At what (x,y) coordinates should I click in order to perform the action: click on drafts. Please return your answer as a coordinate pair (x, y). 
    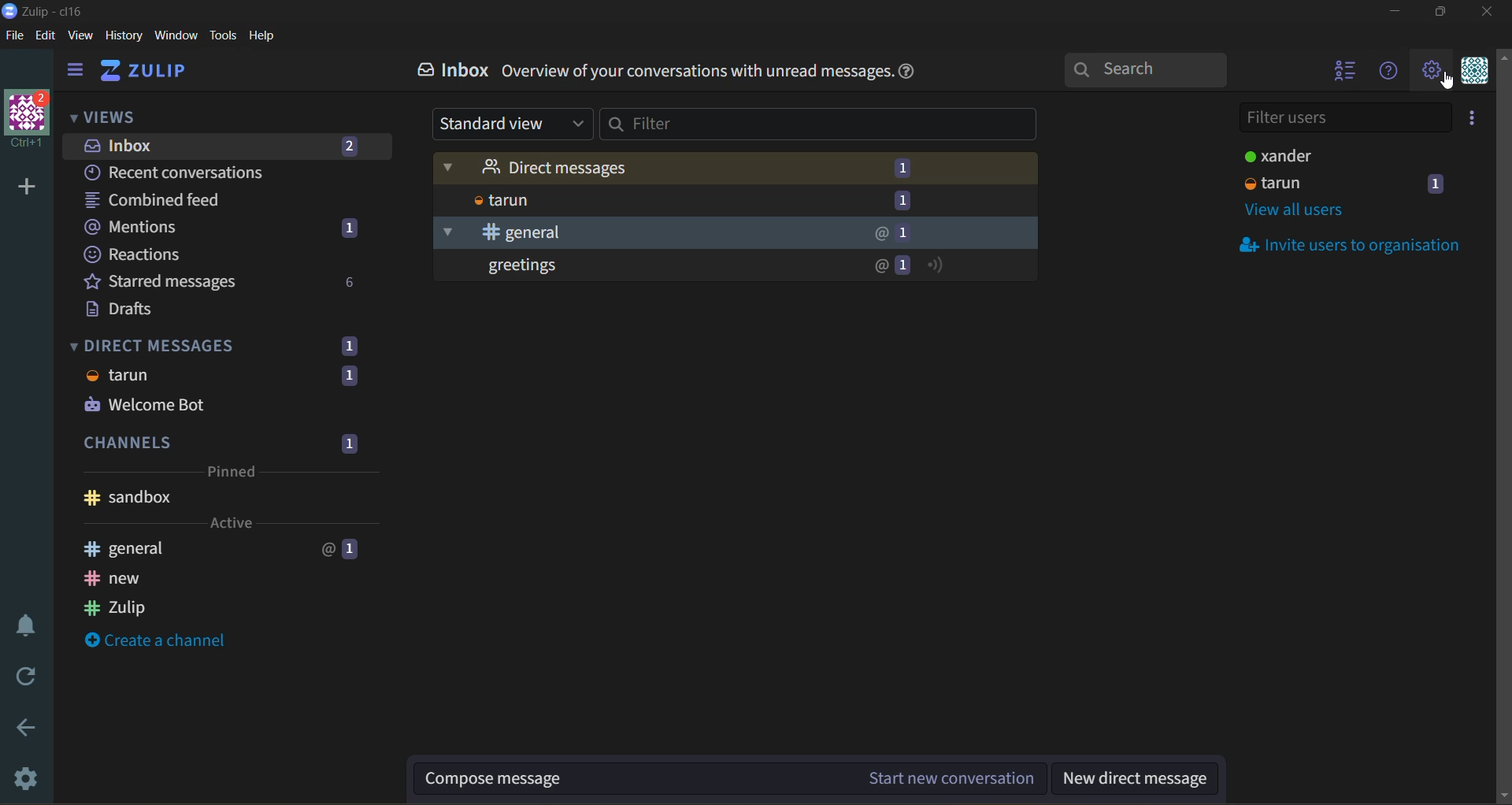
    Looking at the image, I should click on (143, 309).